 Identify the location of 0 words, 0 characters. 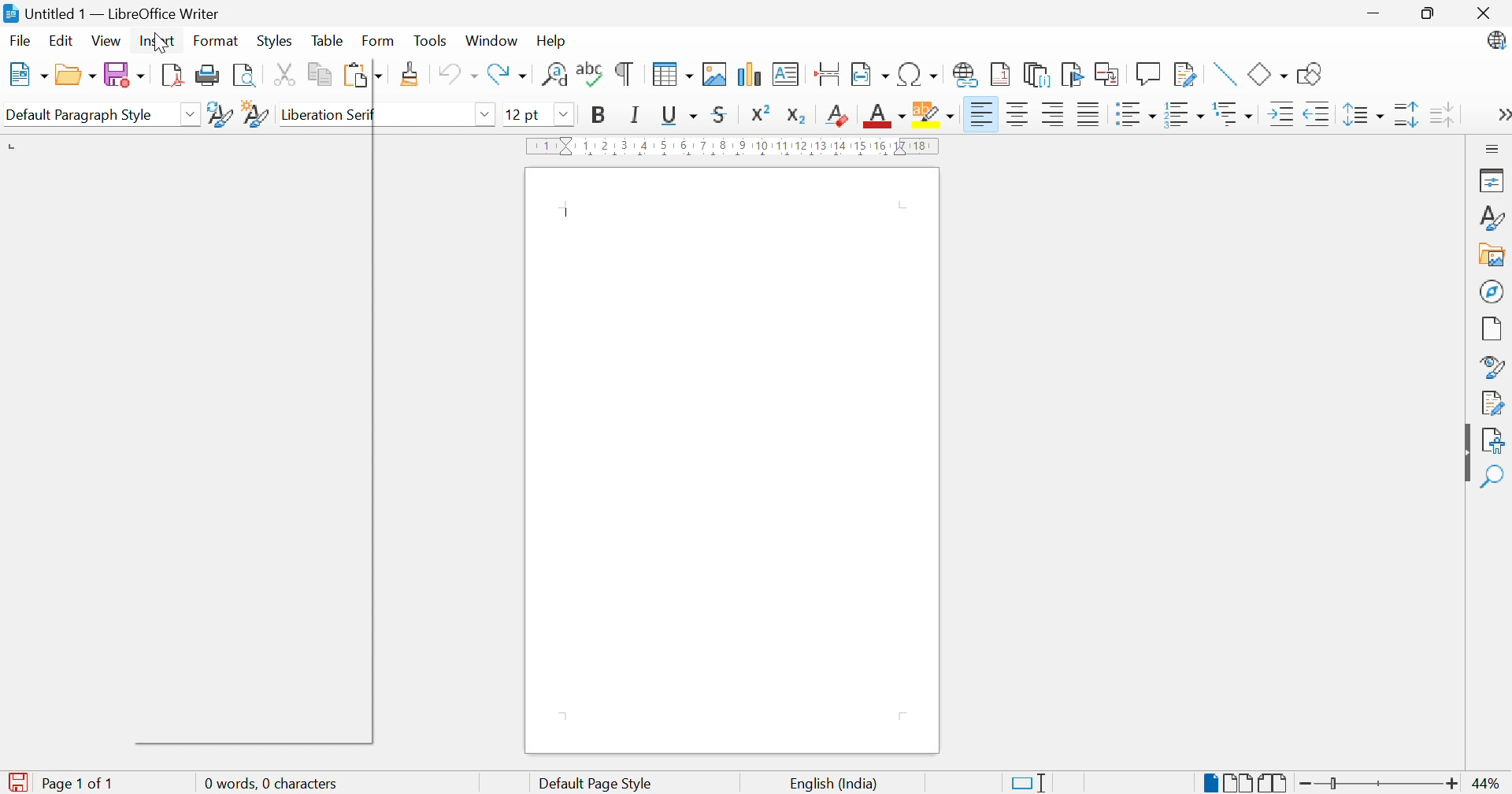
(269, 785).